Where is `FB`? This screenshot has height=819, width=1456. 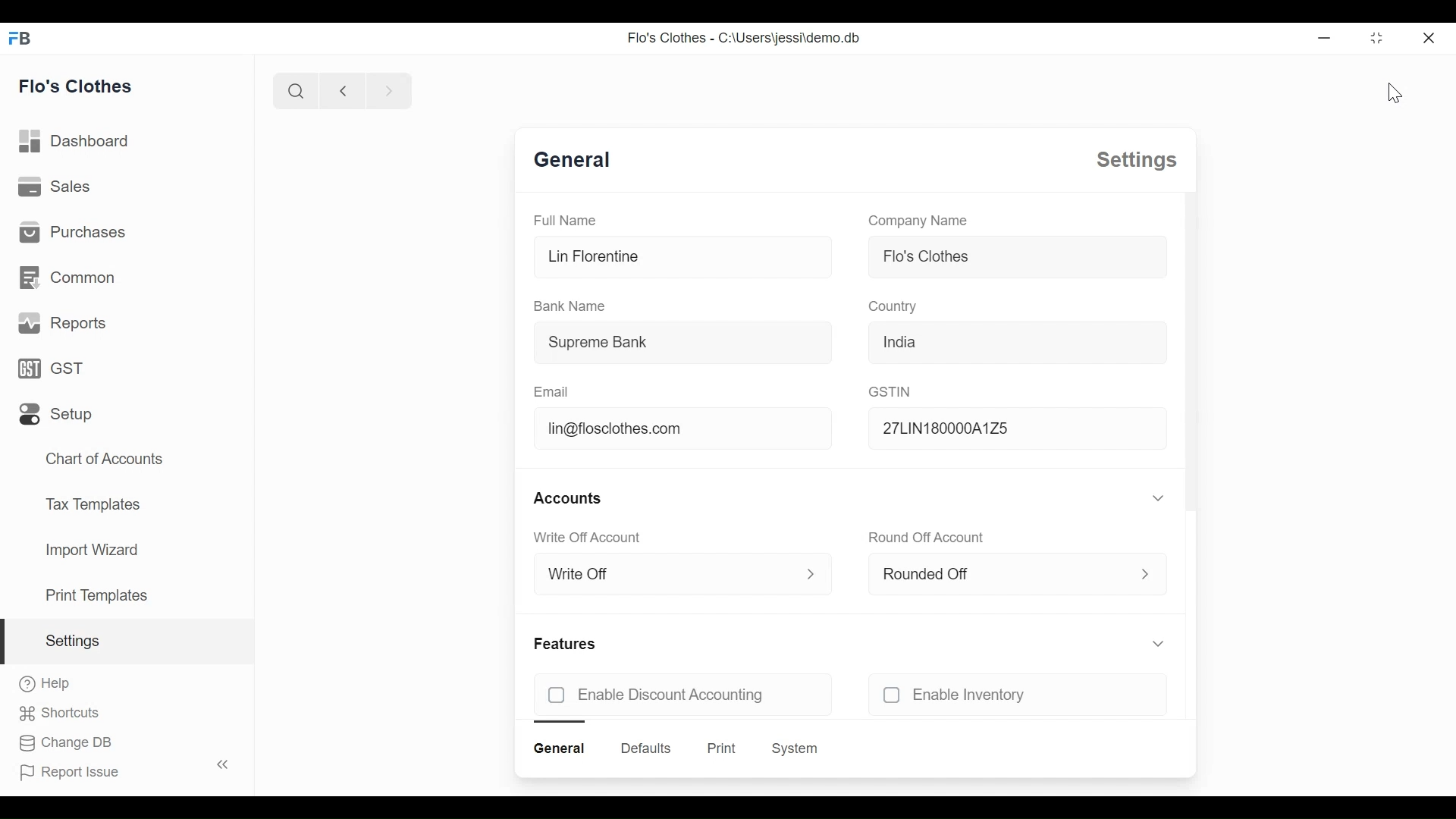
FB is located at coordinates (21, 37).